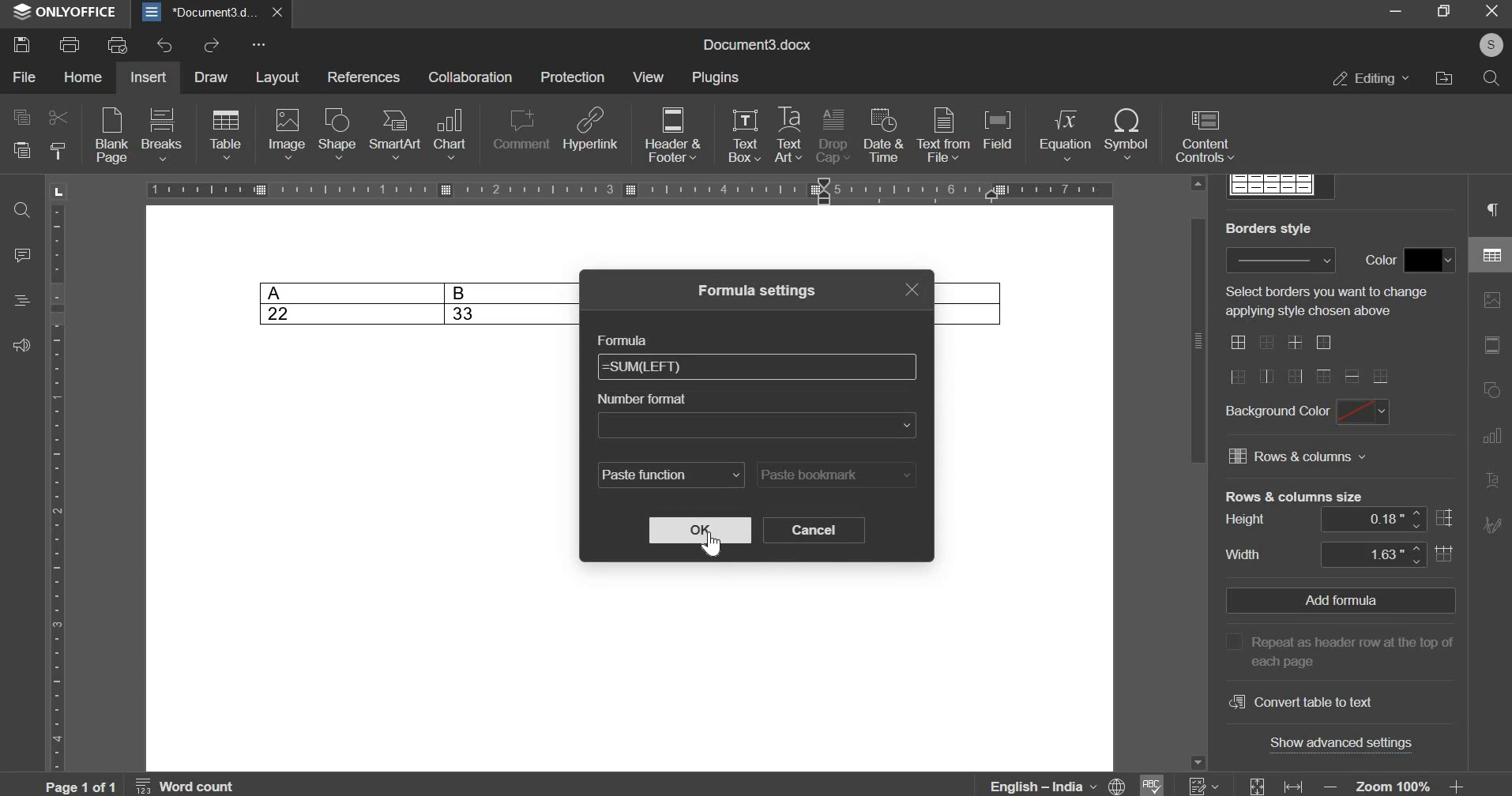  I want to click on Border Style, so click(1269, 227).